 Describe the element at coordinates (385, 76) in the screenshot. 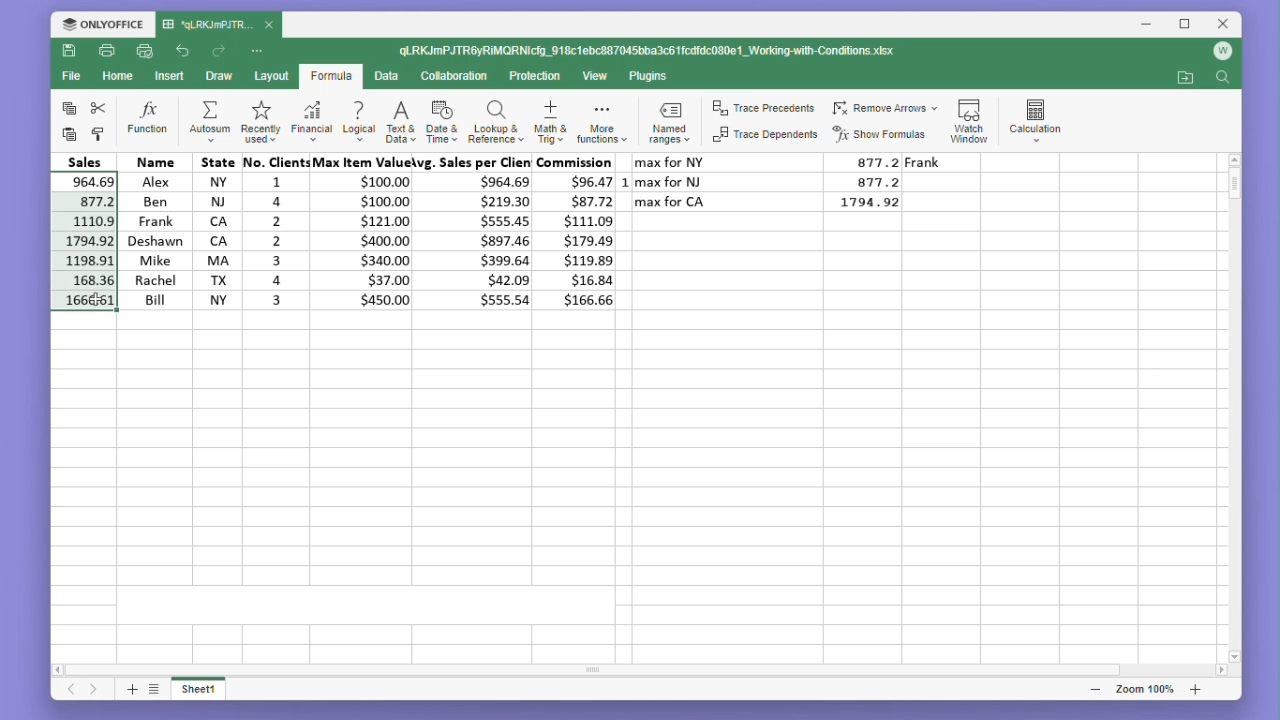

I see `Data` at that location.